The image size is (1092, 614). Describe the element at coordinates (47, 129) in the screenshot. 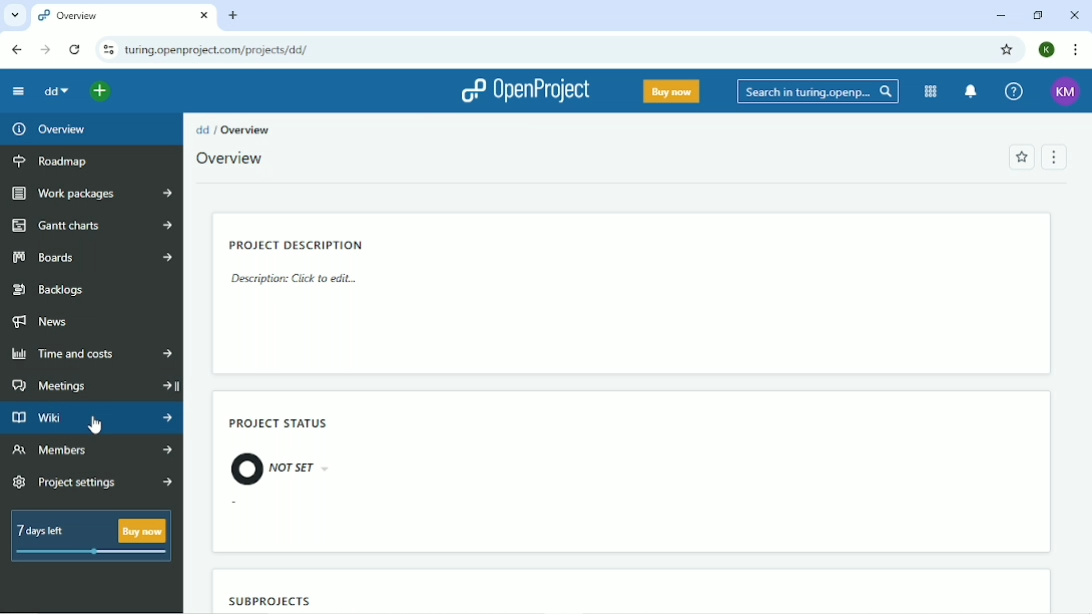

I see `Overview` at that location.